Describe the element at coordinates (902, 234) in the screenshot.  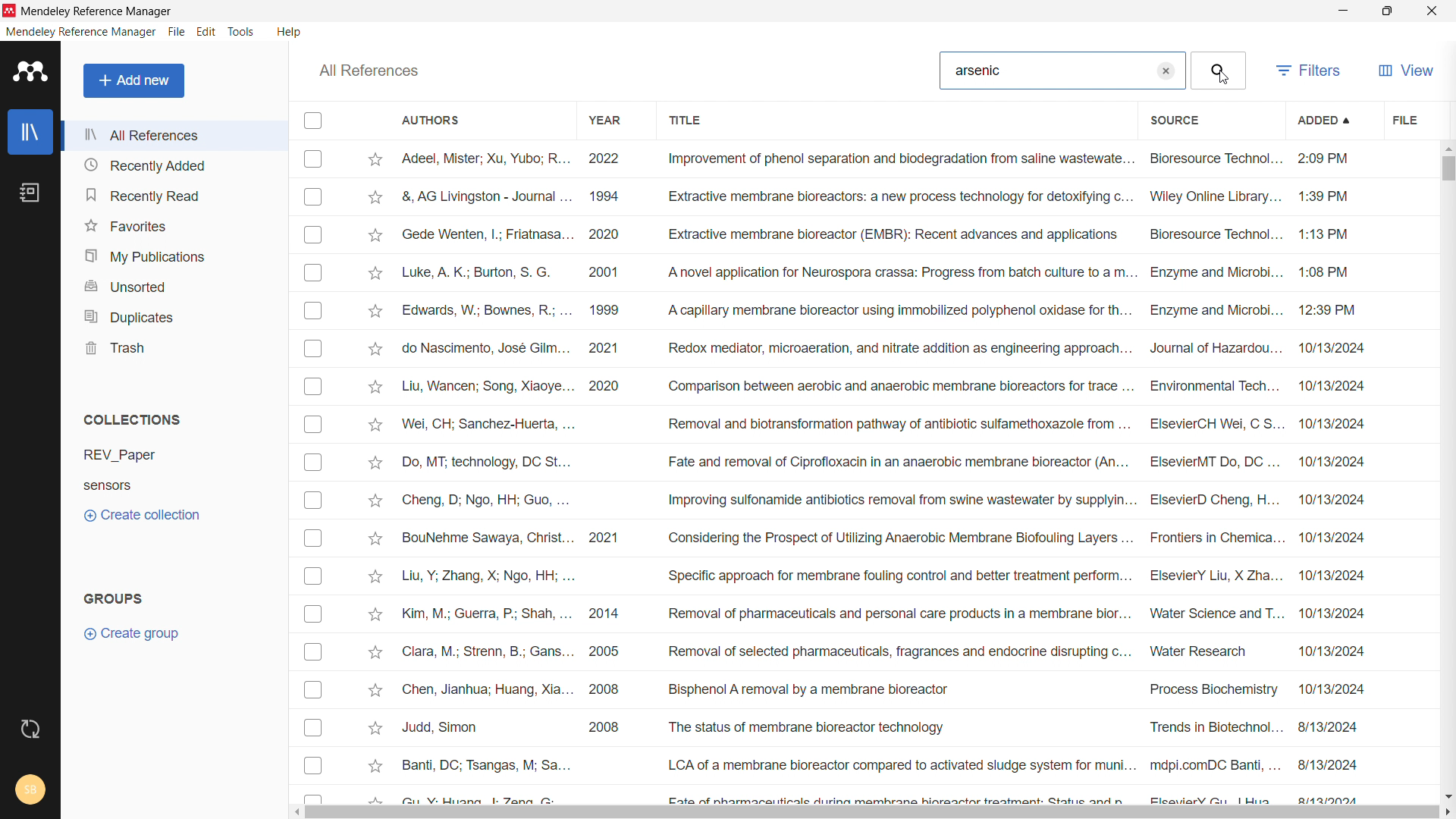
I see `Gsede Wenten, |; Friatnasa... 2020 Extractive membrane bioreactor (EMBR): Recent advances and applications Bioresource Technol... 1:13 PM` at that location.